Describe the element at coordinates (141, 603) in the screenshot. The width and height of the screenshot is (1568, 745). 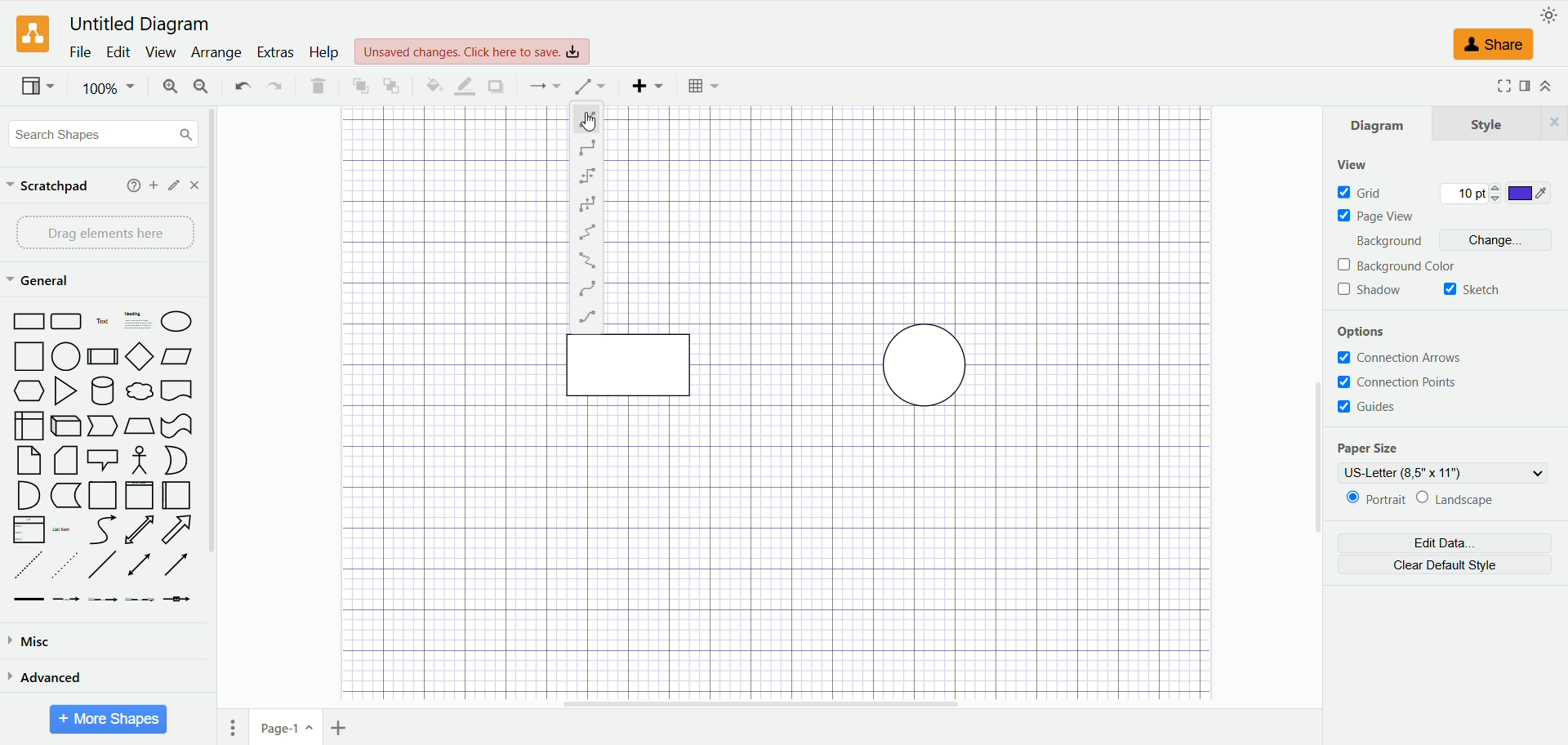
I see `Connector with 3 Labels` at that location.